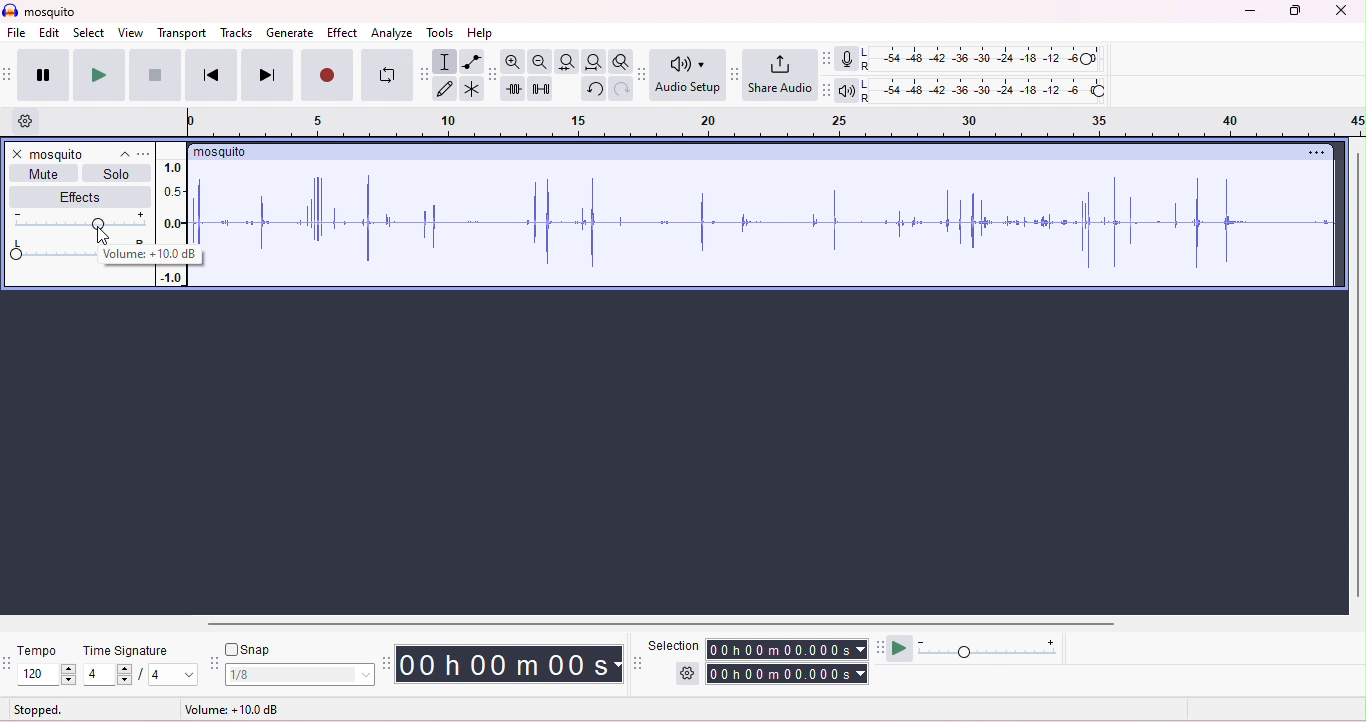  I want to click on selection time, so click(787, 650).